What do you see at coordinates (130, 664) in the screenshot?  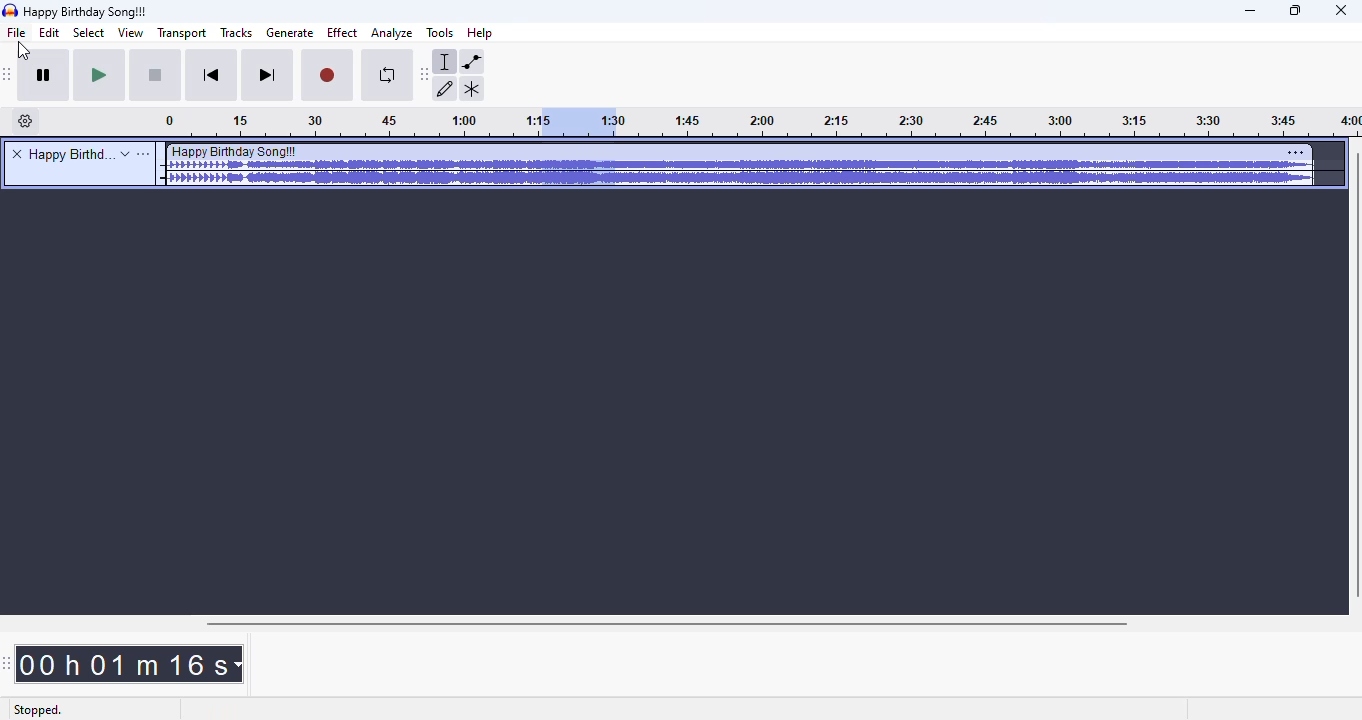 I see `00 h 01 m 16 s` at bounding box center [130, 664].